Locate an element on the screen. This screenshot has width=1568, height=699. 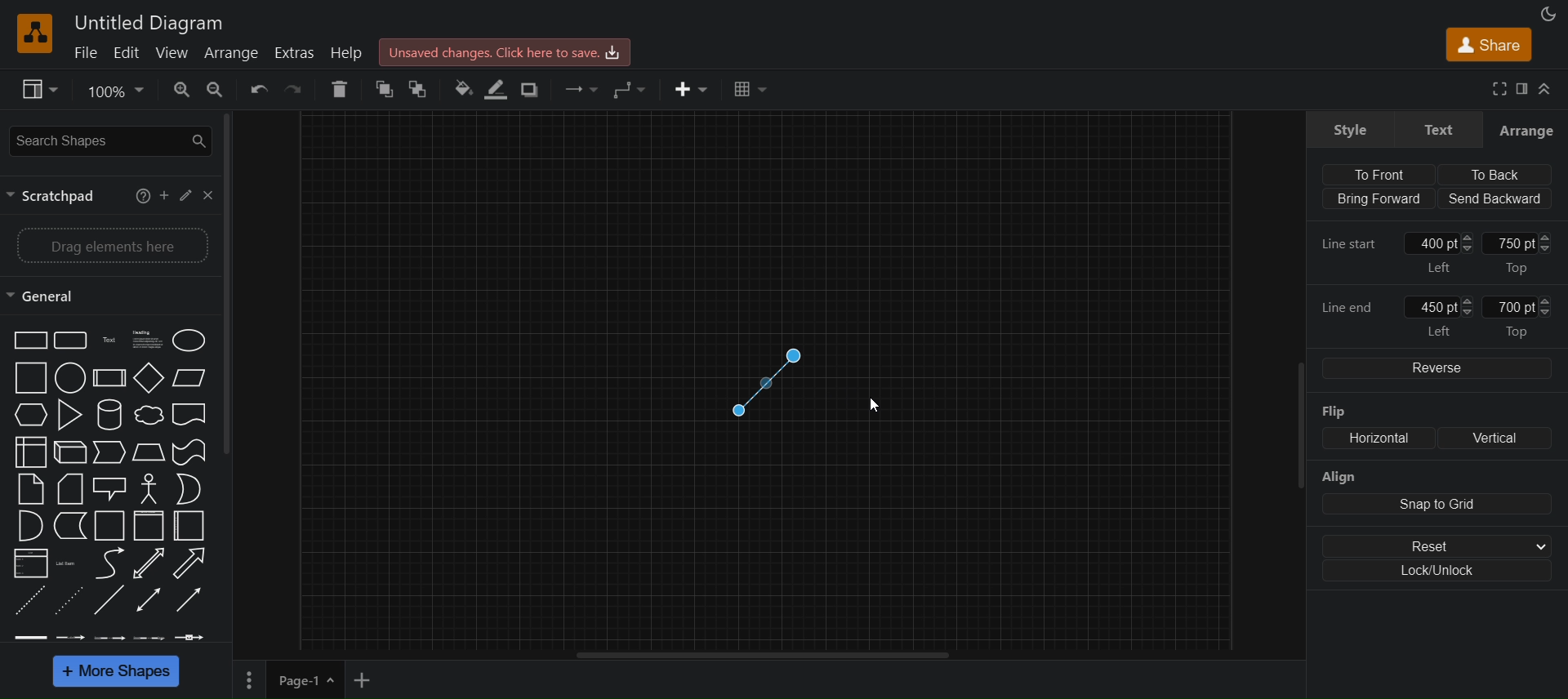
Bidirectional arrow is located at coordinates (147, 563).